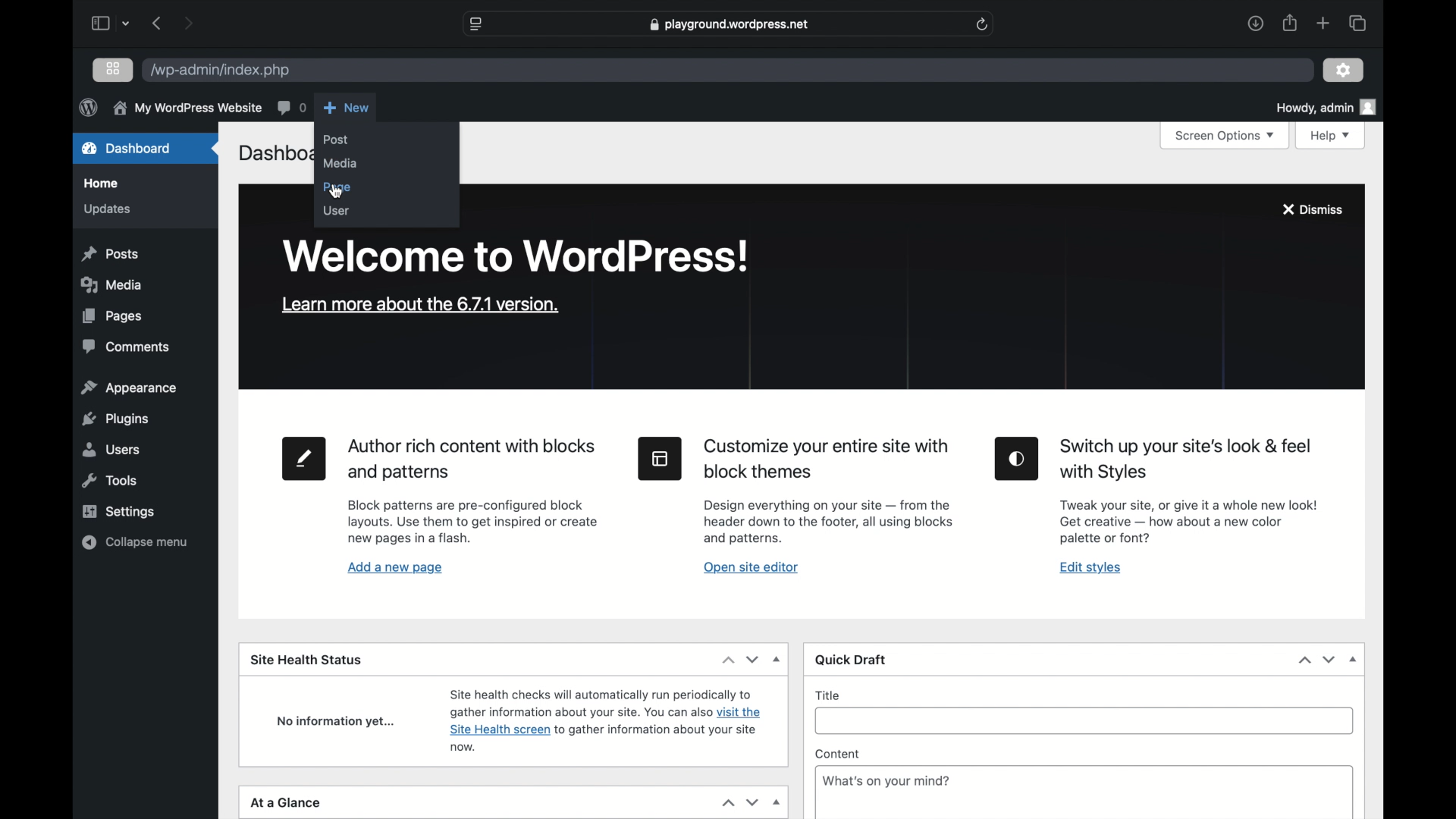 The image size is (1456, 819). Describe the element at coordinates (306, 661) in the screenshot. I see `site health status` at that location.